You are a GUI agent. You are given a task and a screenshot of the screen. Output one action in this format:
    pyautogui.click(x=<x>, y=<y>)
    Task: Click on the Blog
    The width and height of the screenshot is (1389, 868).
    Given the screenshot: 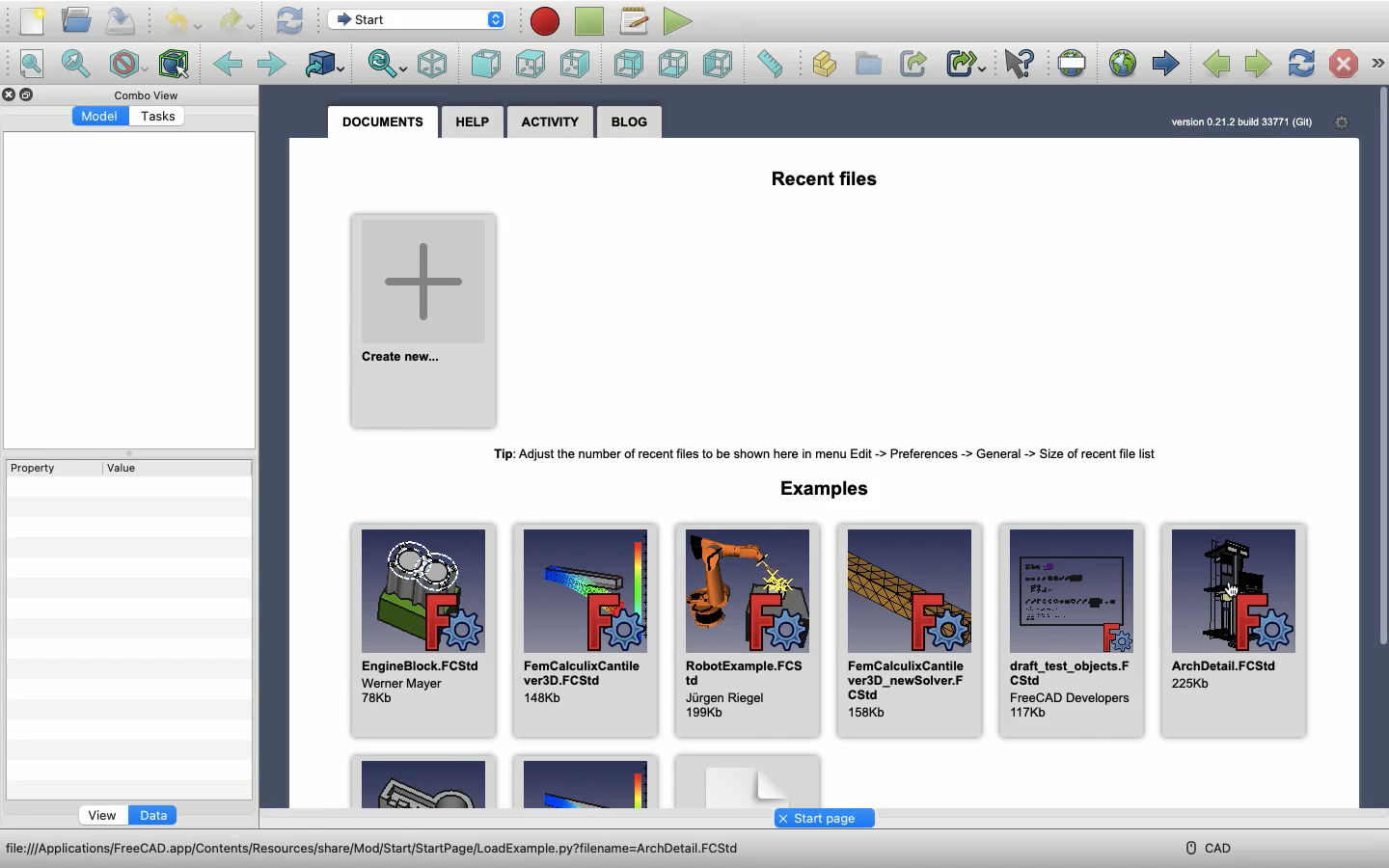 What is the action you would take?
    pyautogui.click(x=629, y=122)
    